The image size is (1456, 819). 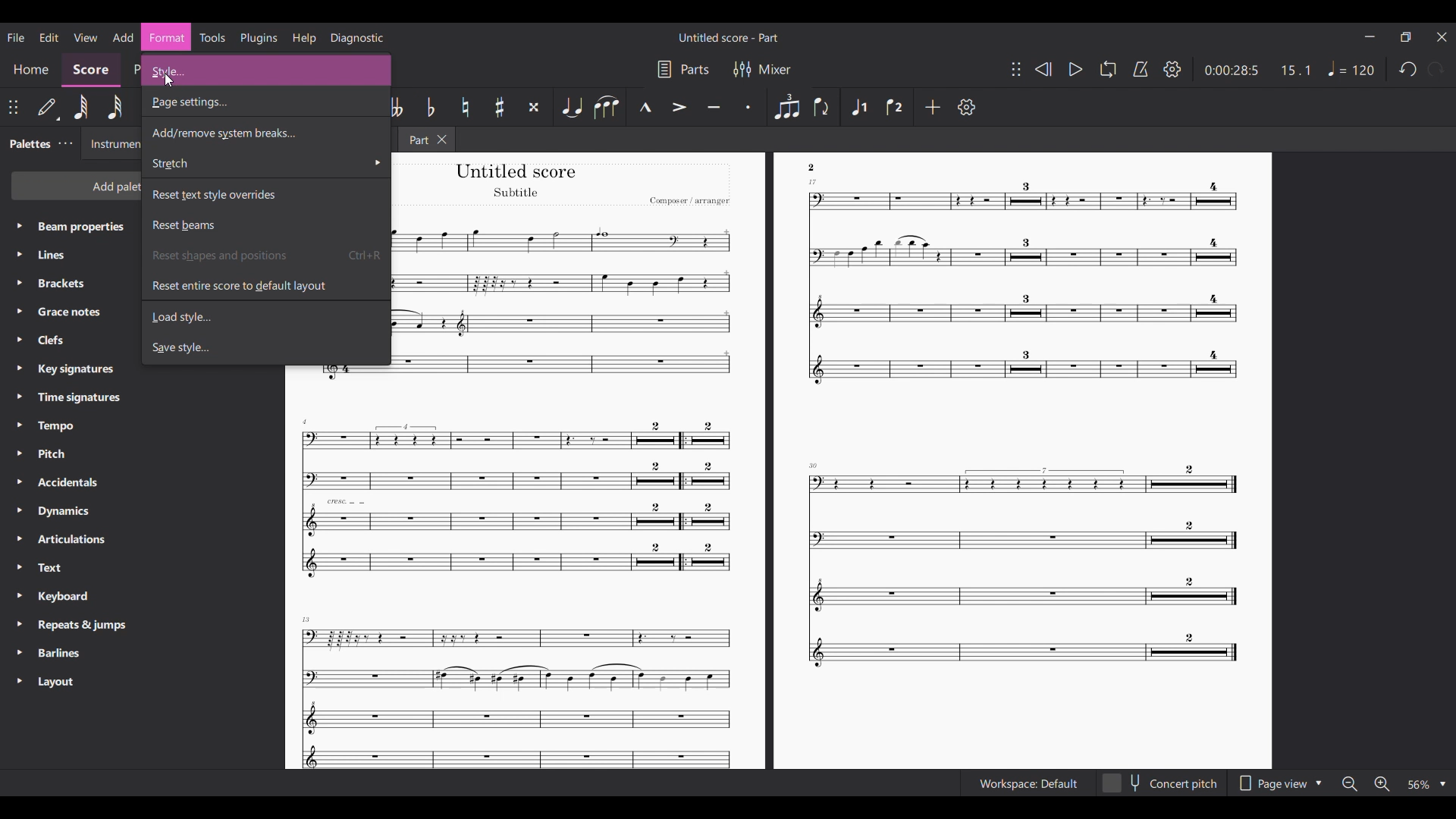 What do you see at coordinates (431, 108) in the screenshot?
I see `Toggle flat` at bounding box center [431, 108].